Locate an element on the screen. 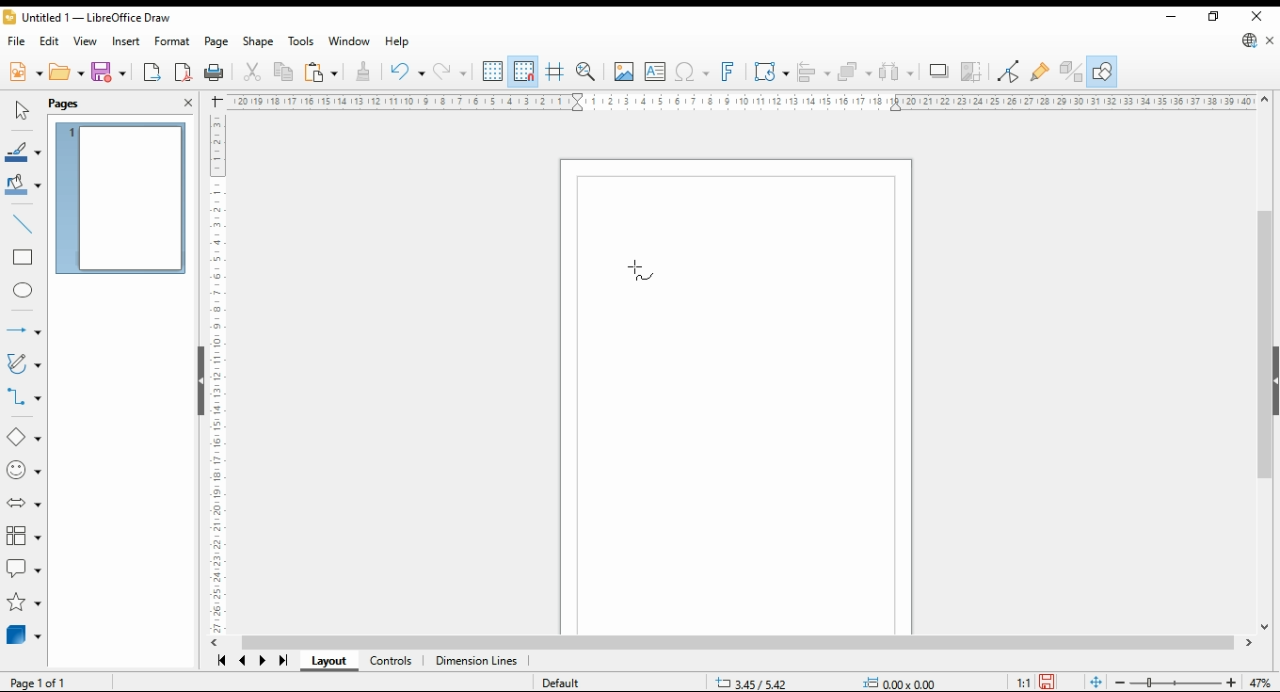 The image size is (1280, 692). -20.93/13.41 is located at coordinates (756, 683).